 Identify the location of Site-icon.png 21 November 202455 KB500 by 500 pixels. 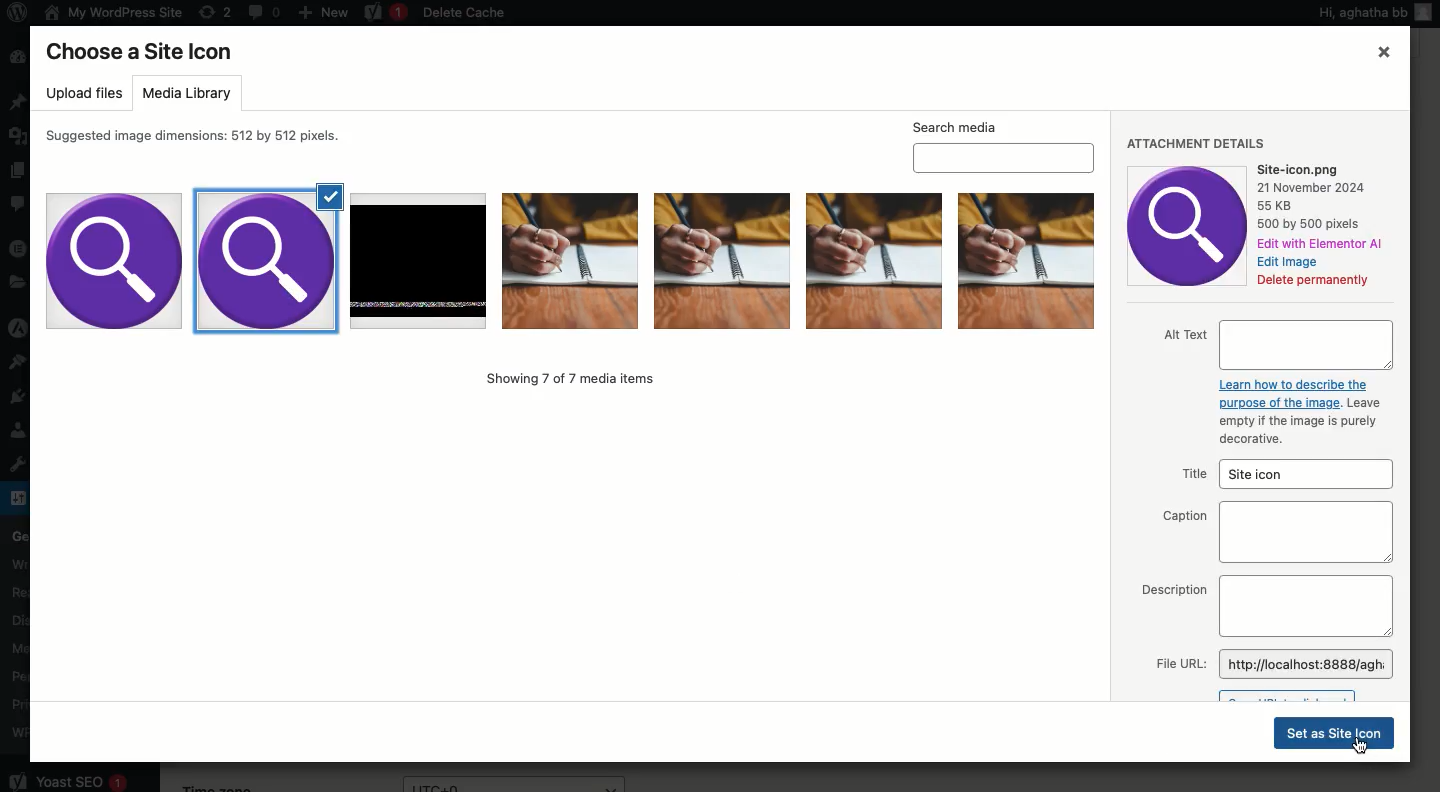
(1318, 198).